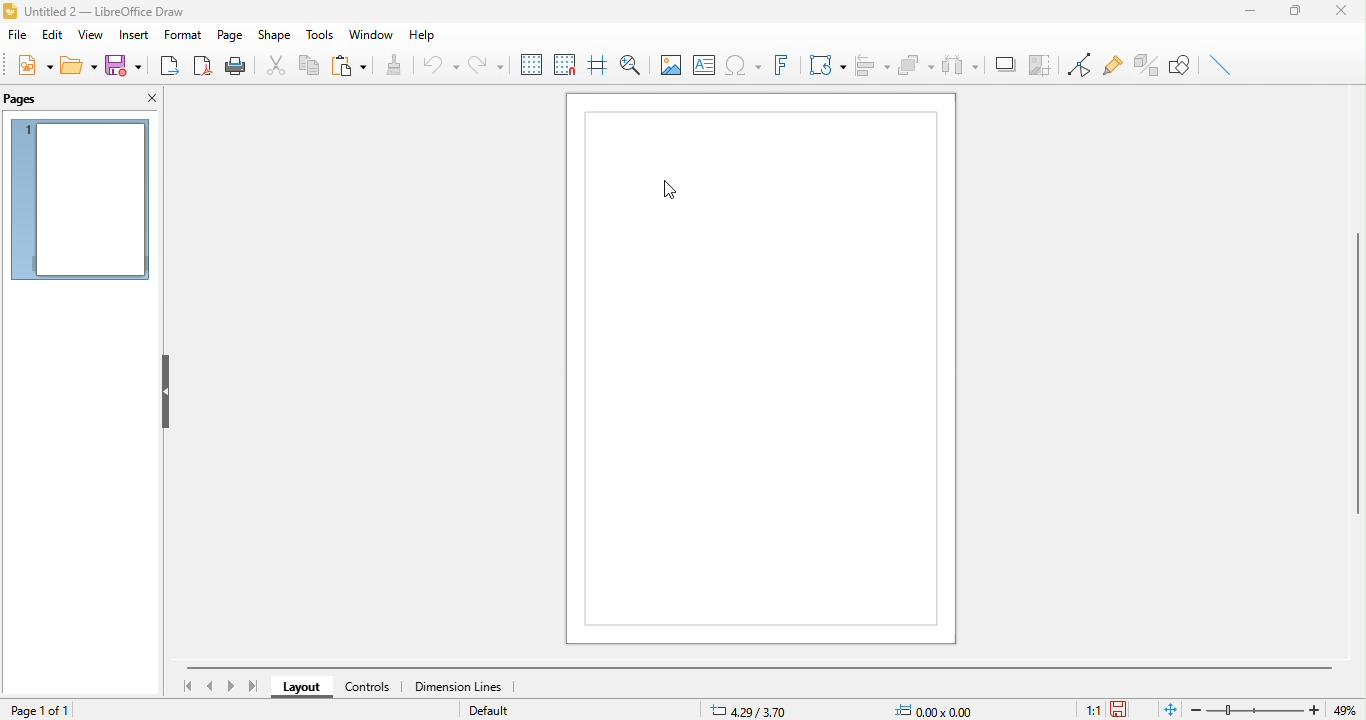 This screenshot has width=1366, height=720. I want to click on shadow, so click(1003, 63).